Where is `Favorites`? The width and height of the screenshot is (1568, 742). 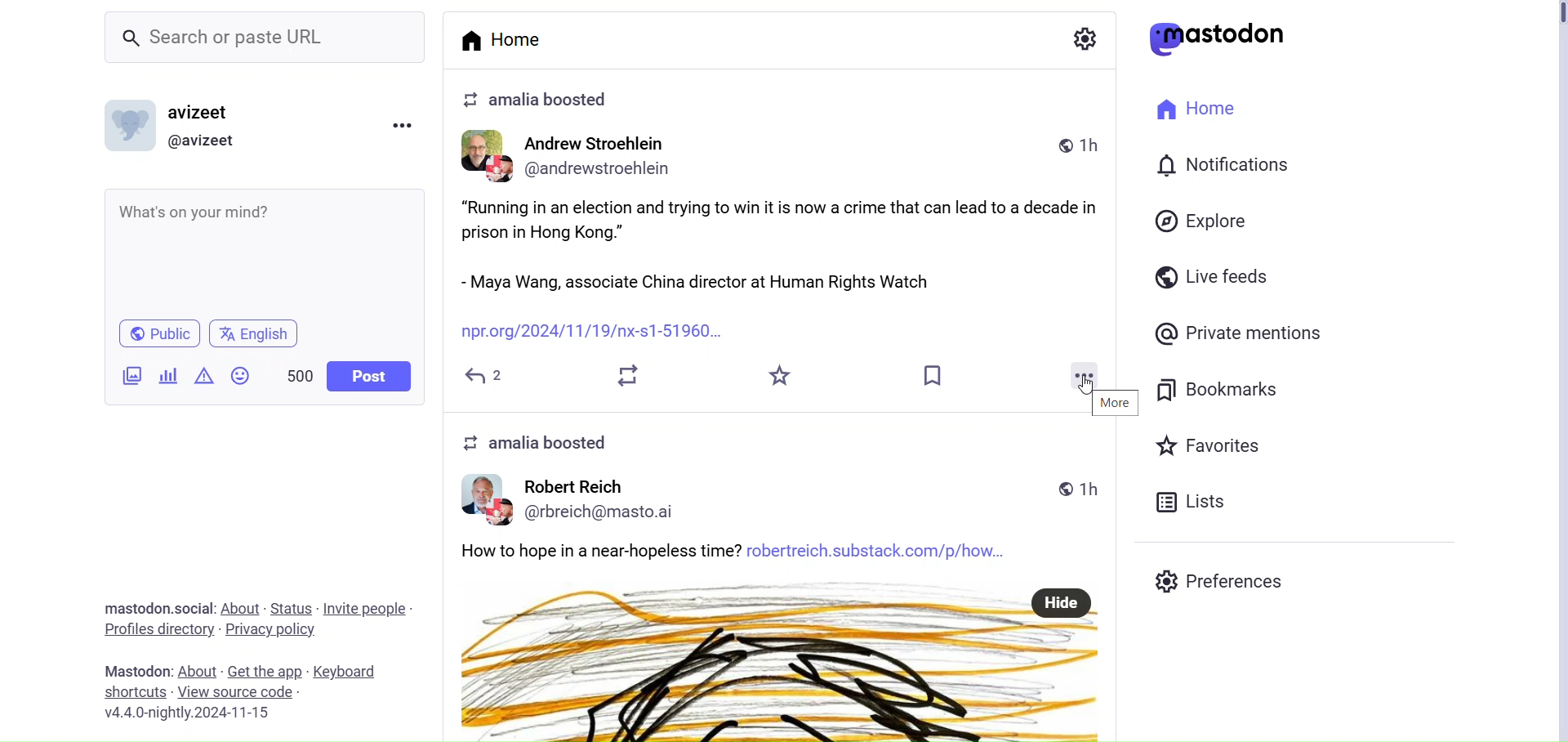
Favorites is located at coordinates (782, 378).